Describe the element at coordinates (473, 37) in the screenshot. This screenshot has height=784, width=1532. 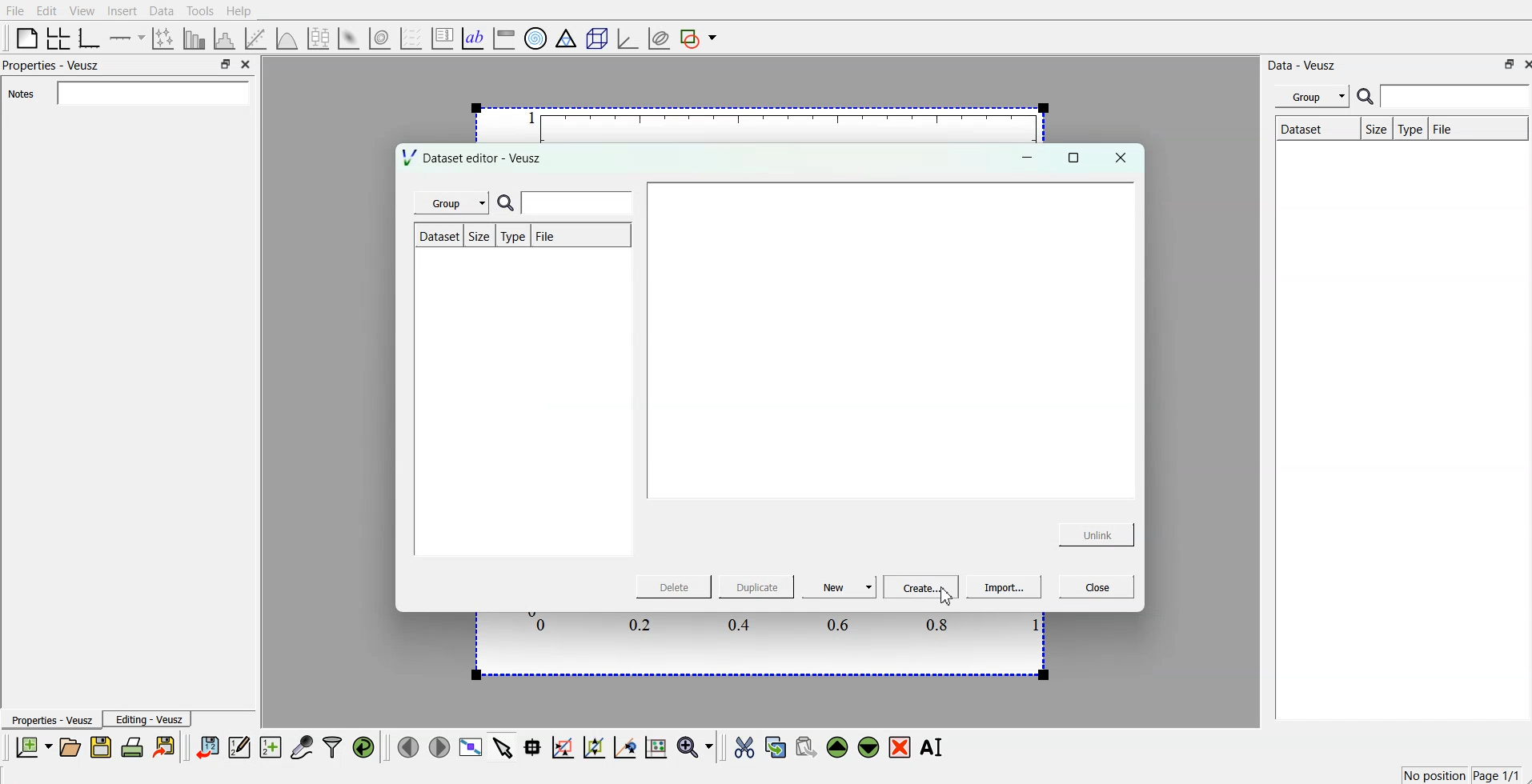
I see `text label` at that location.